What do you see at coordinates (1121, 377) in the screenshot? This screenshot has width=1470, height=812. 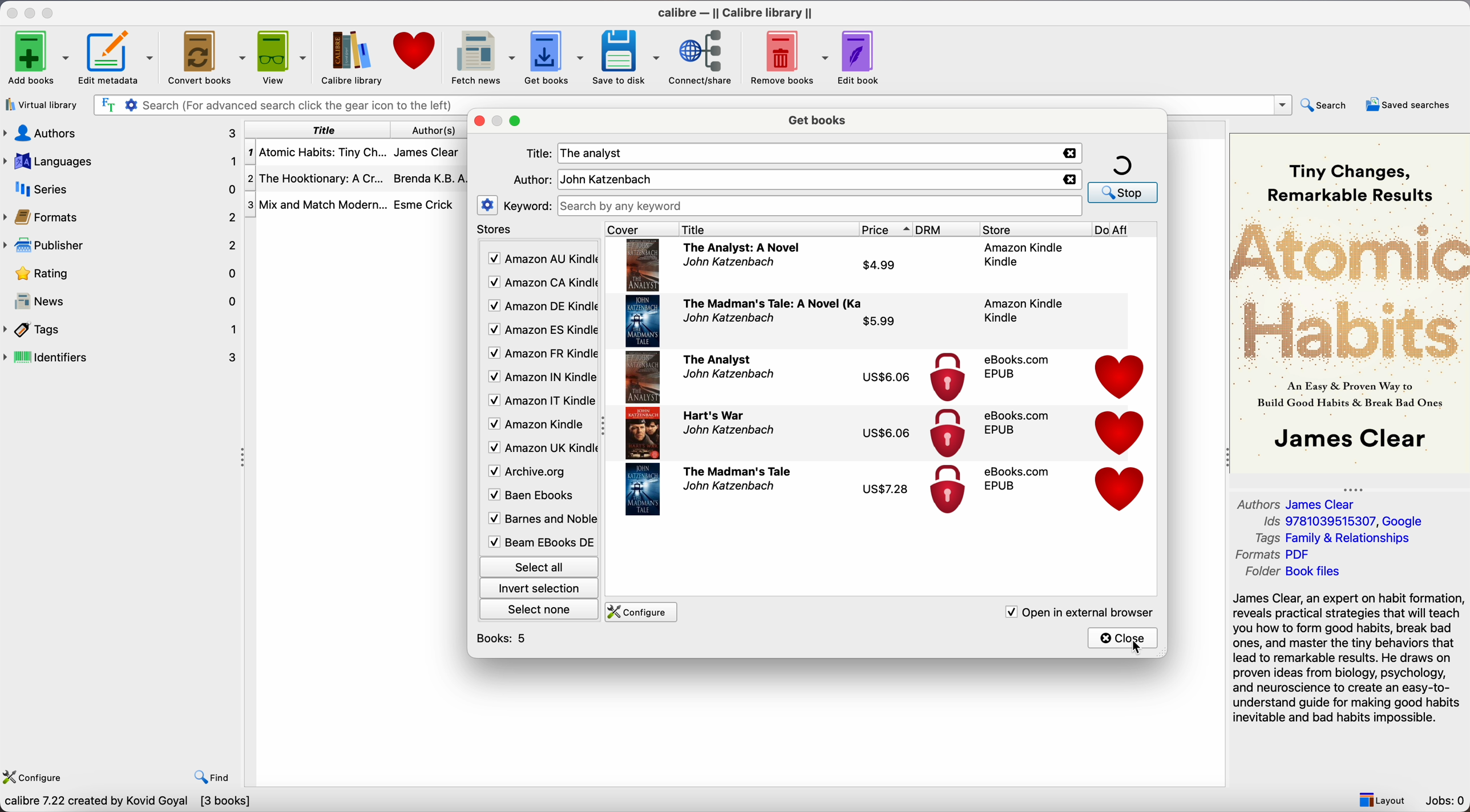 I see `donate` at bounding box center [1121, 377].